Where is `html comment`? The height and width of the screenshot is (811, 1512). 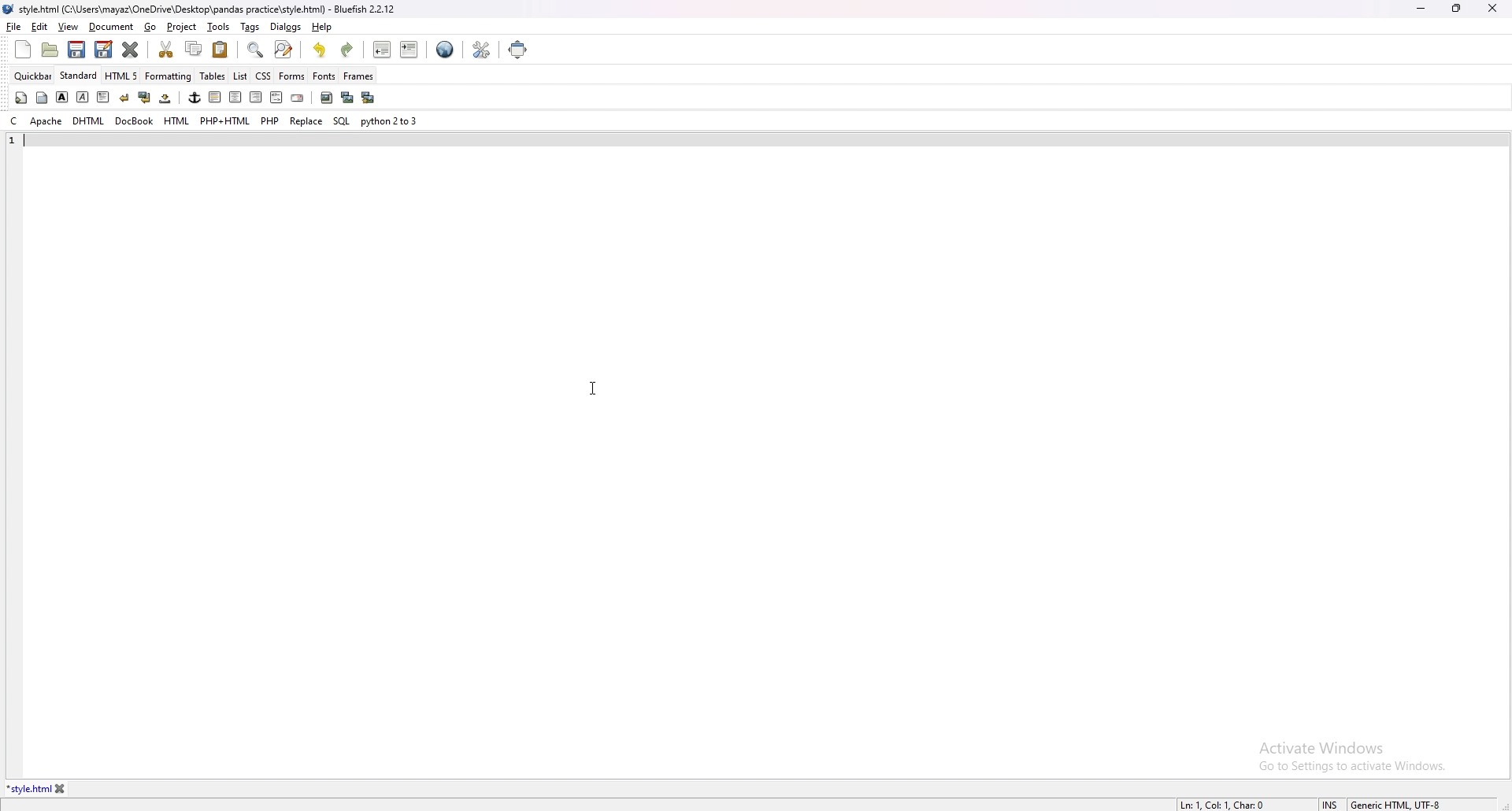
html comment is located at coordinates (276, 98).